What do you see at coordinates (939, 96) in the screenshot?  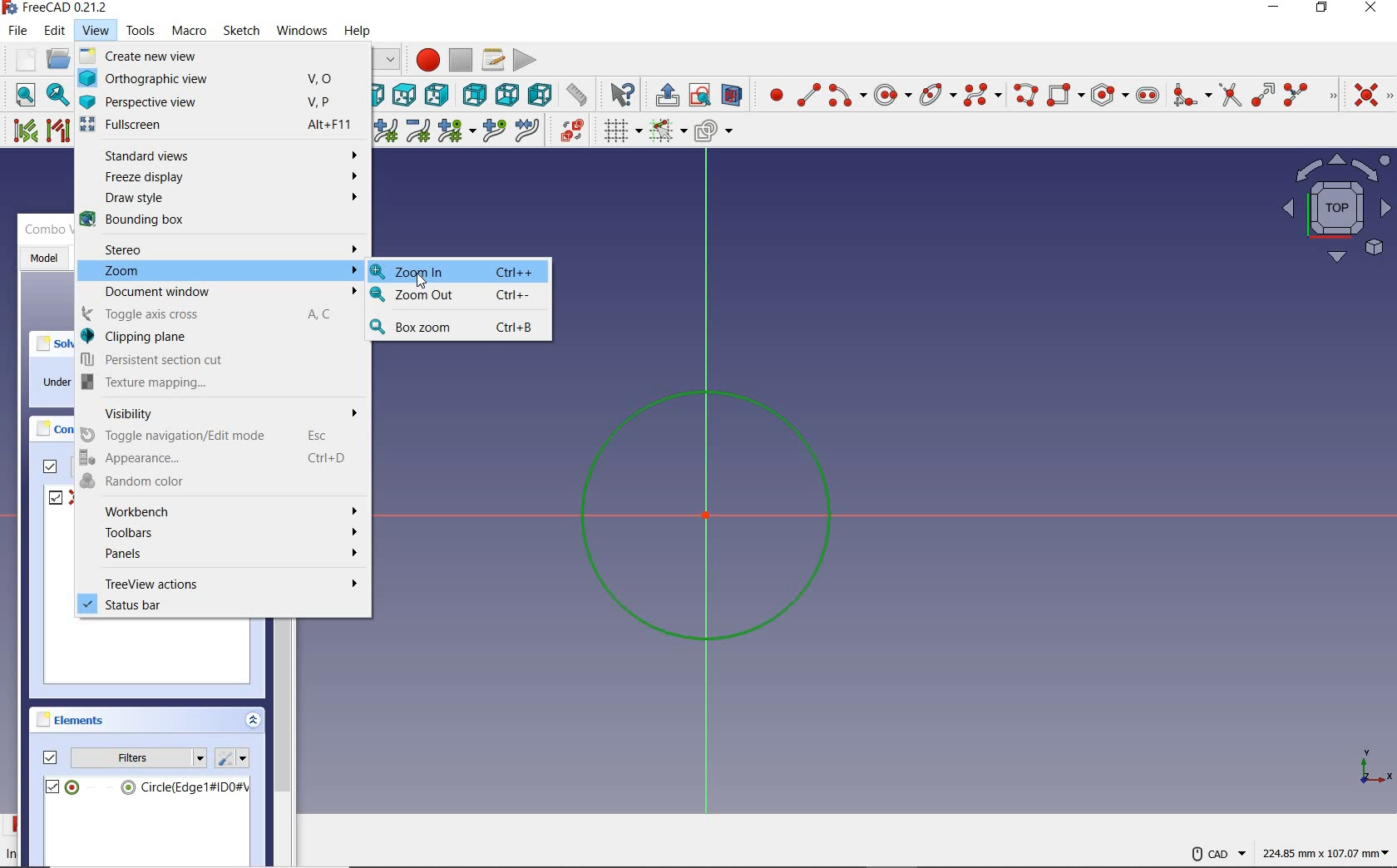 I see `create conic` at bounding box center [939, 96].